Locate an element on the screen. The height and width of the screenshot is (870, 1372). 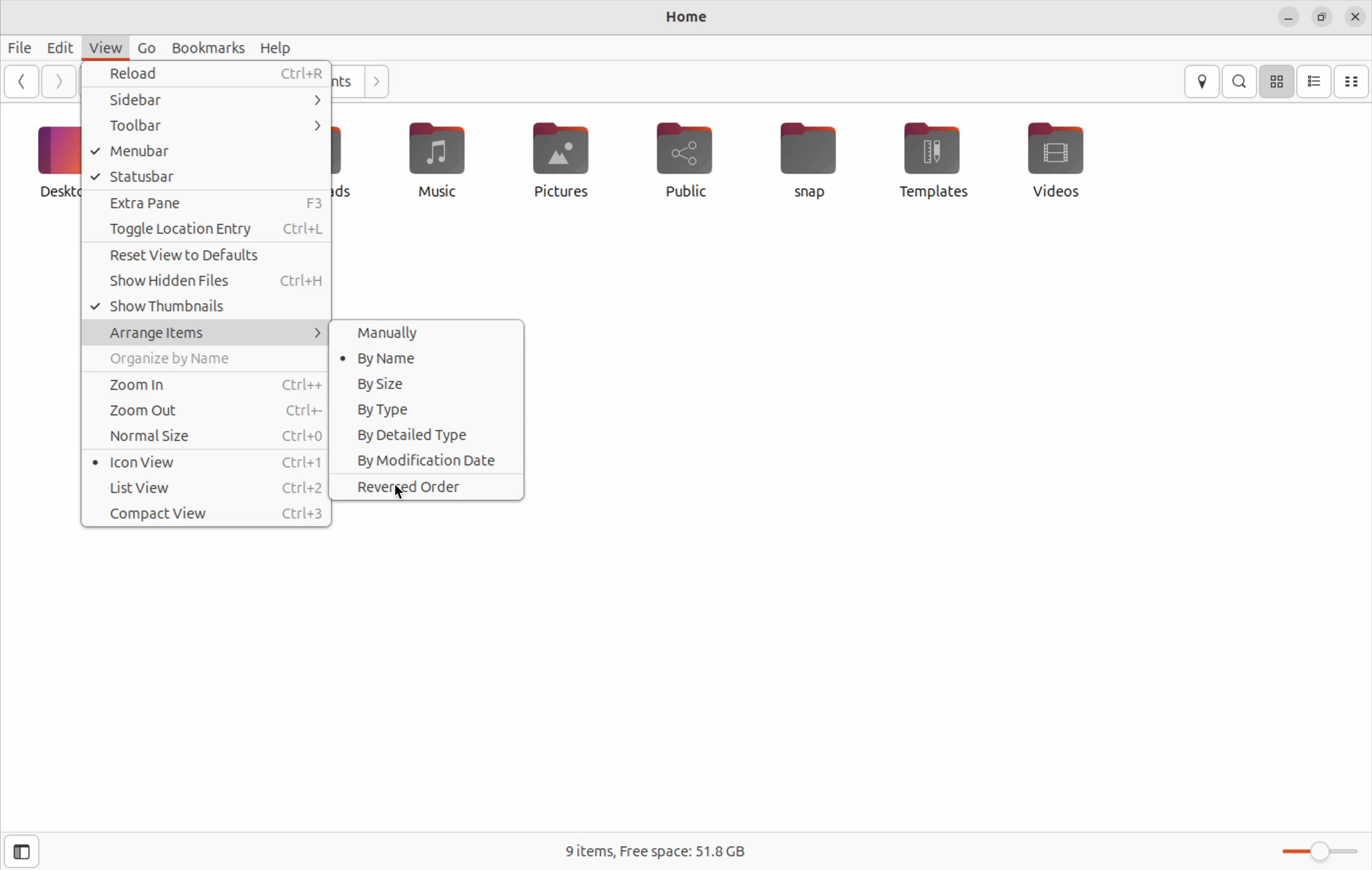
view is located at coordinates (103, 48).